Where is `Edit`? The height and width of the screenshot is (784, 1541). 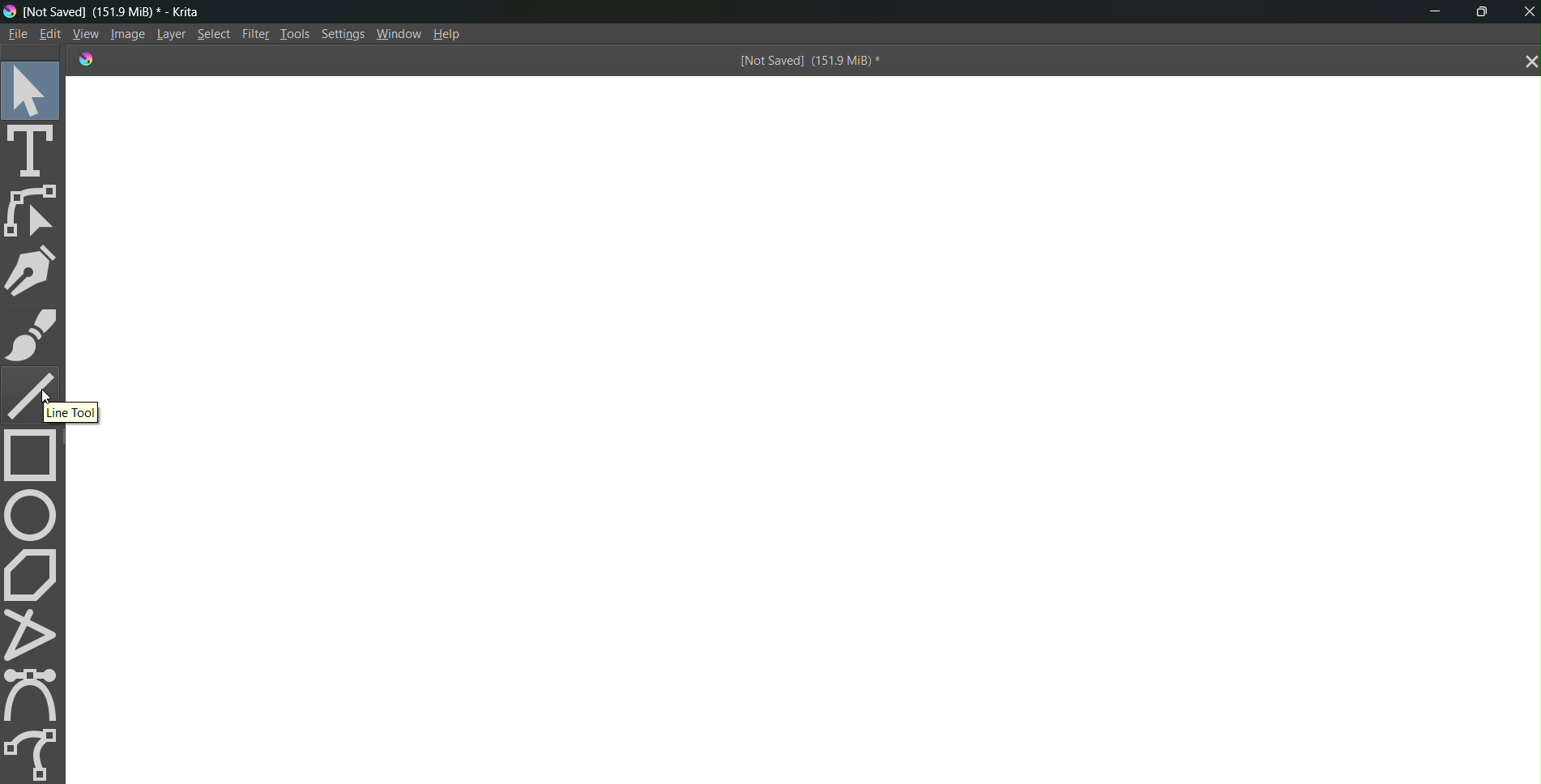
Edit is located at coordinates (50, 34).